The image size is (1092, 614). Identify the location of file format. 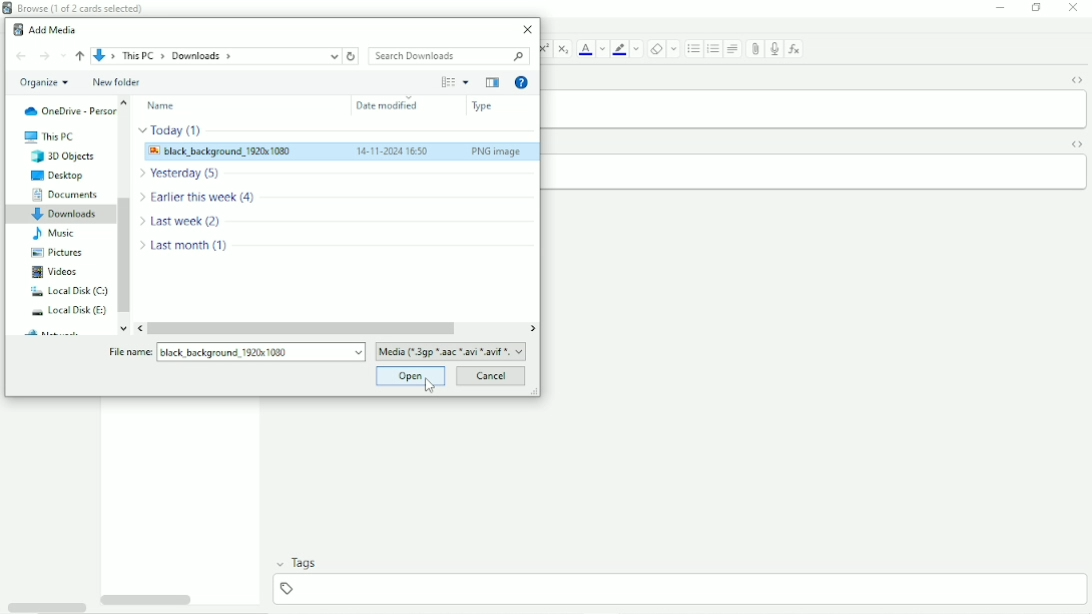
(453, 352).